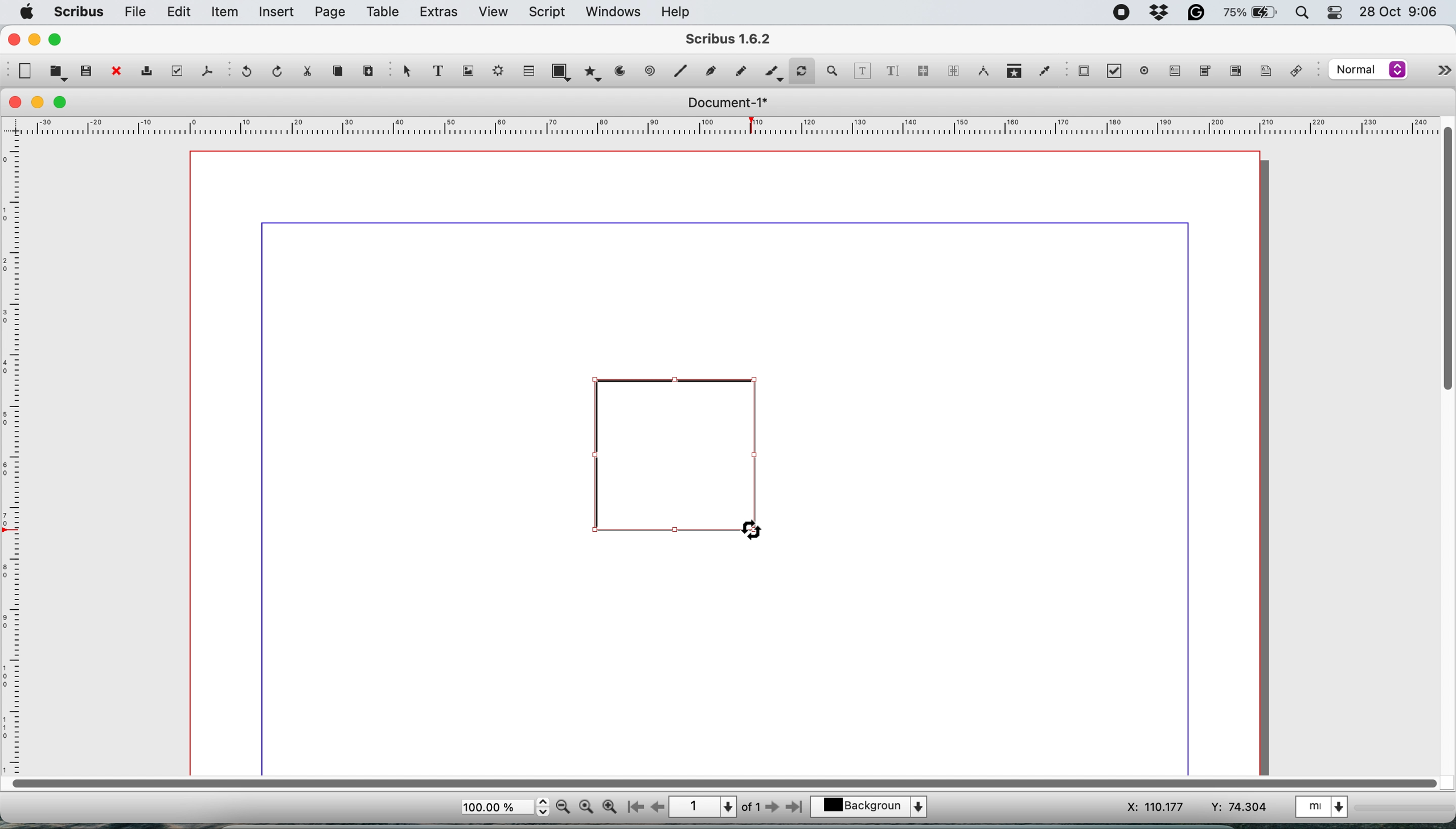 This screenshot has height=829, width=1456. I want to click on paste, so click(368, 72).